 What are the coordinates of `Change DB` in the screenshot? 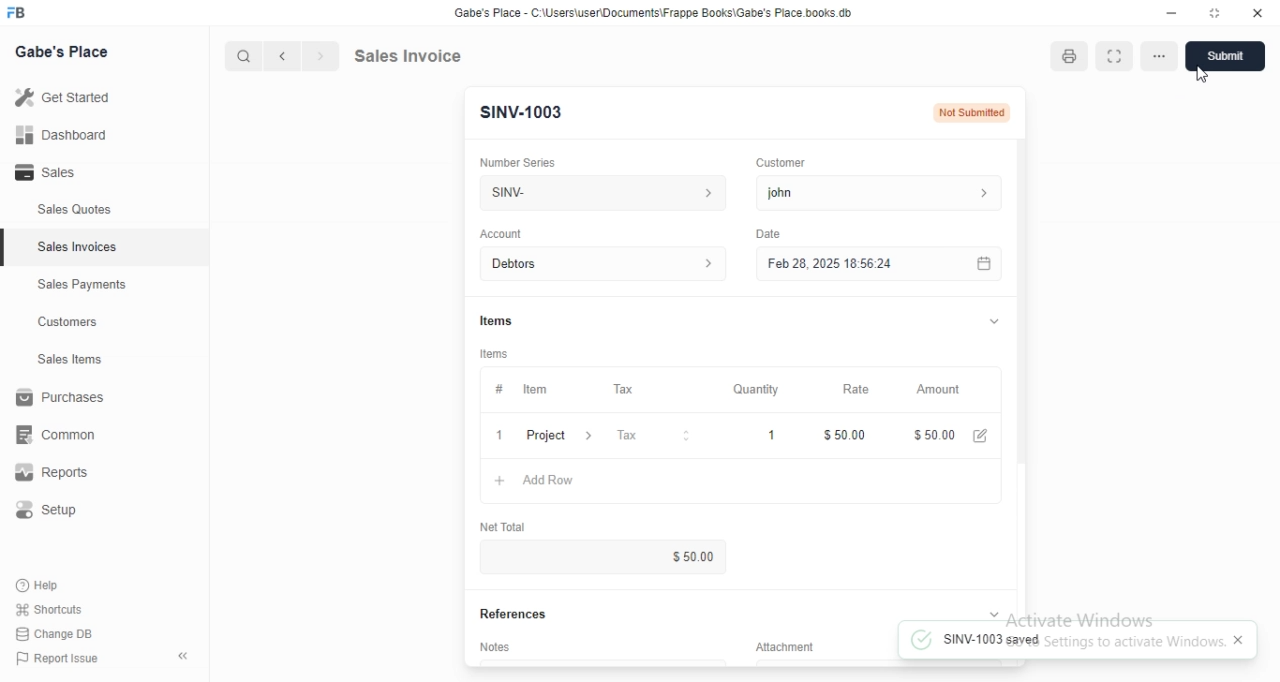 It's located at (58, 635).